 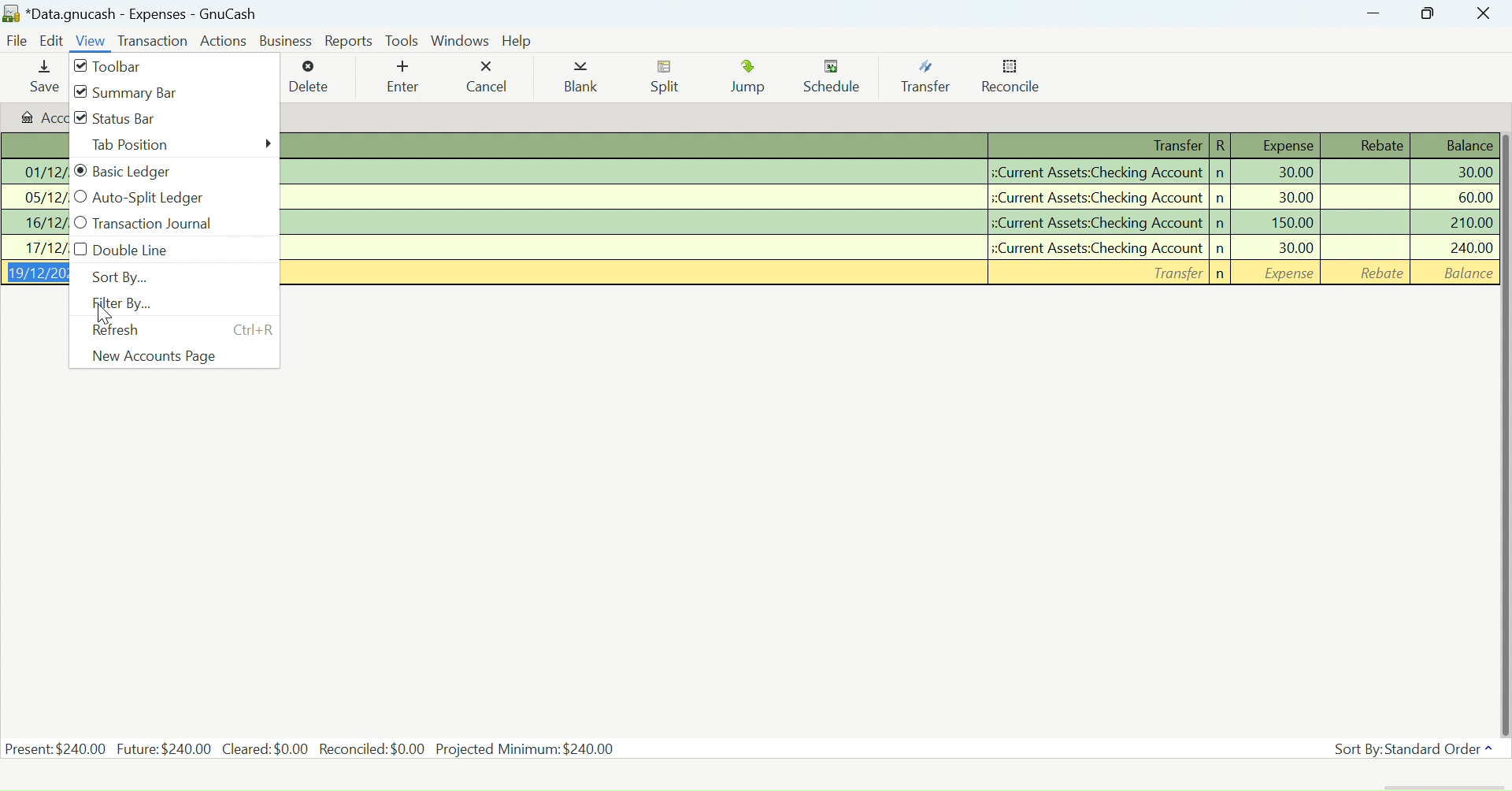 I want to click on Restore Down, so click(x=1373, y=13).